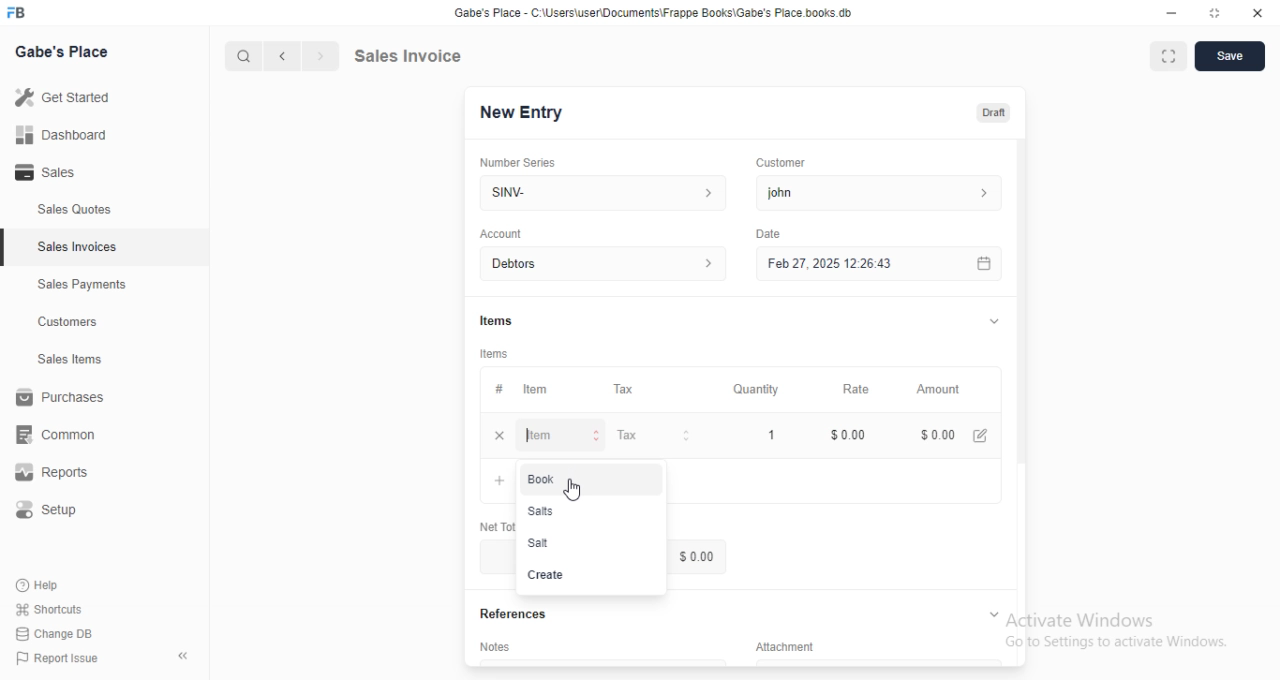  I want to click on Gabe's Place, so click(65, 52).